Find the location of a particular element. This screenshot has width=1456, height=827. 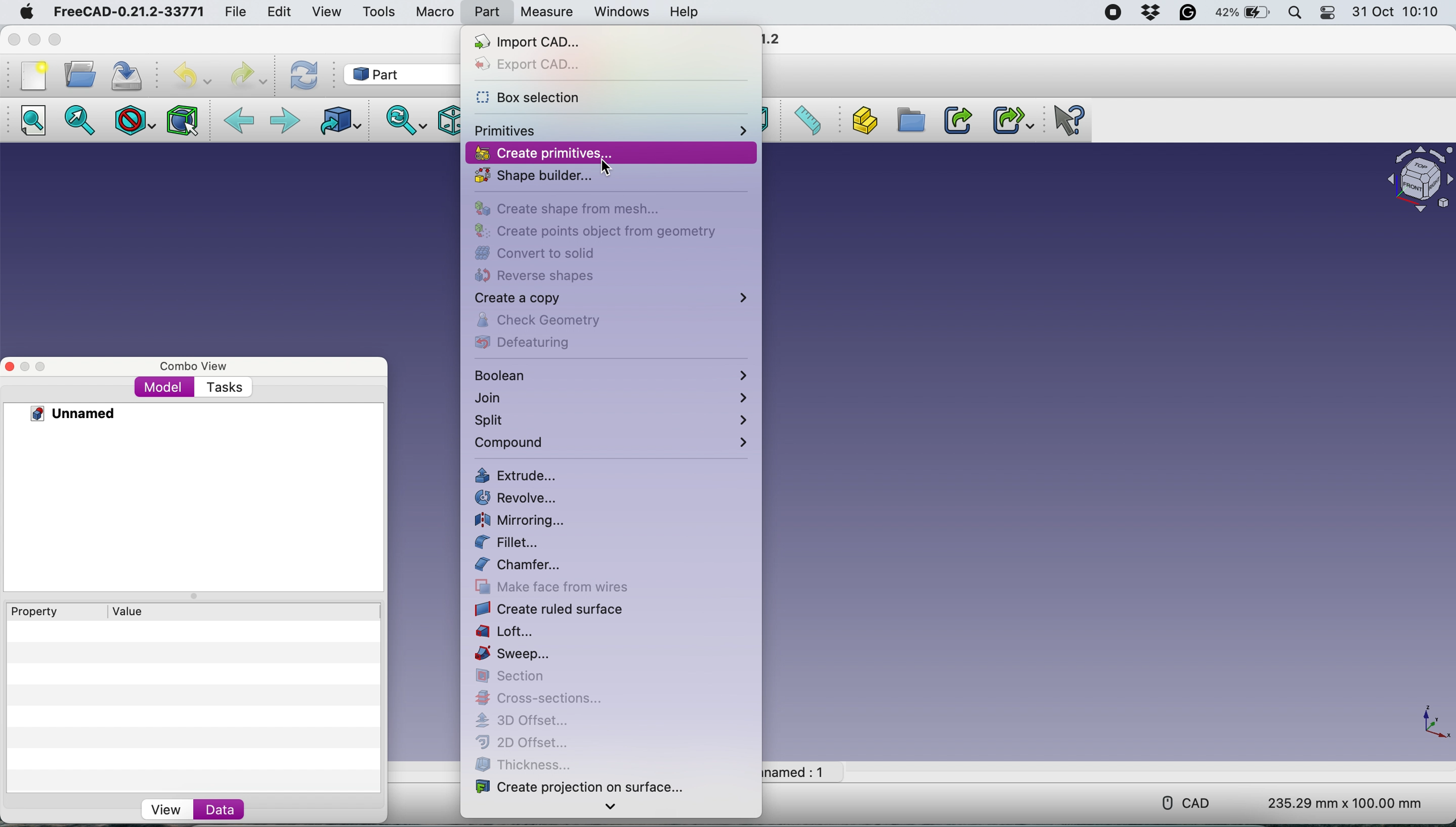

create projection on surface is located at coordinates (588, 784).